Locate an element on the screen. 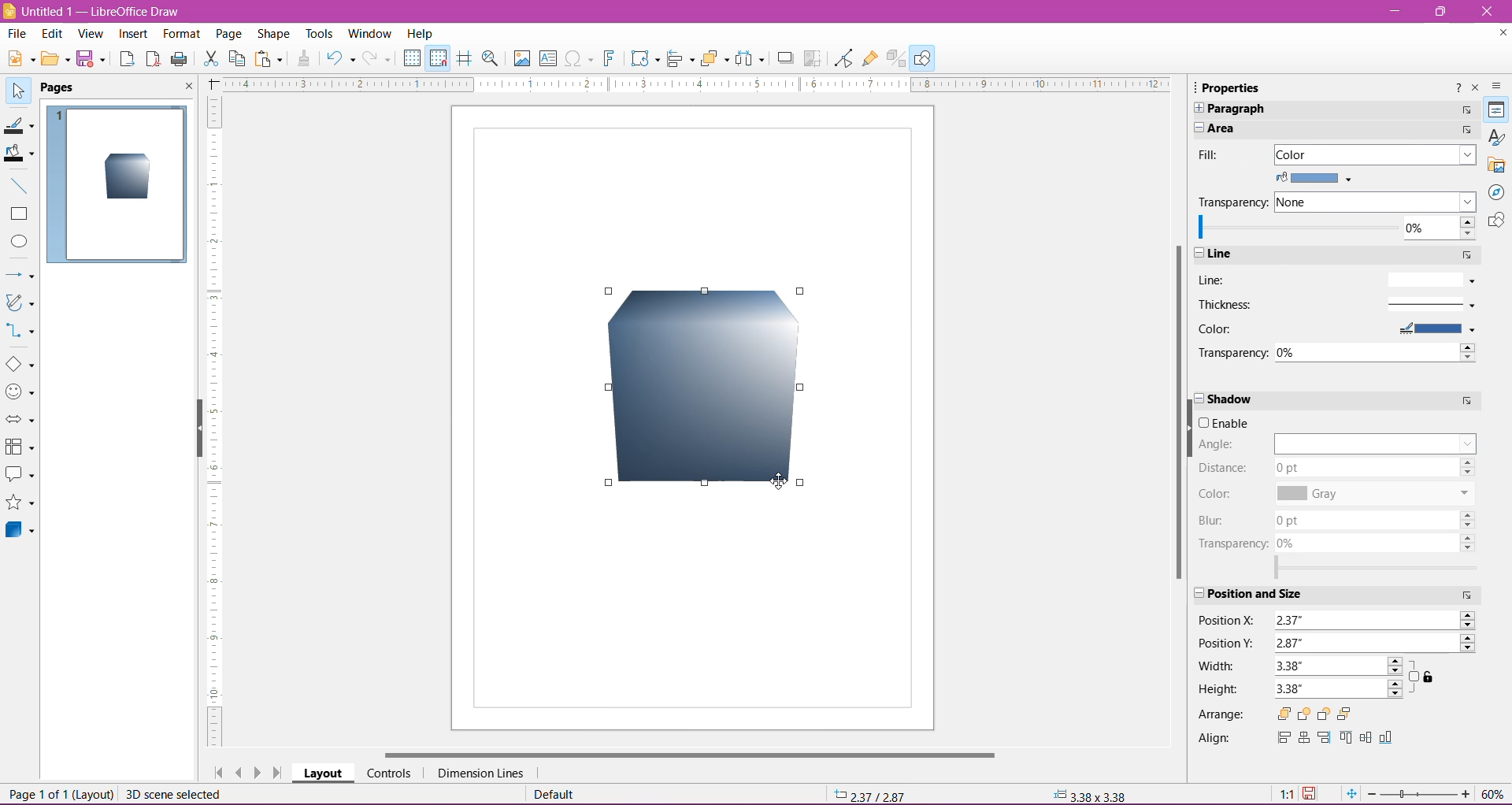  Transparency is located at coordinates (1236, 202).